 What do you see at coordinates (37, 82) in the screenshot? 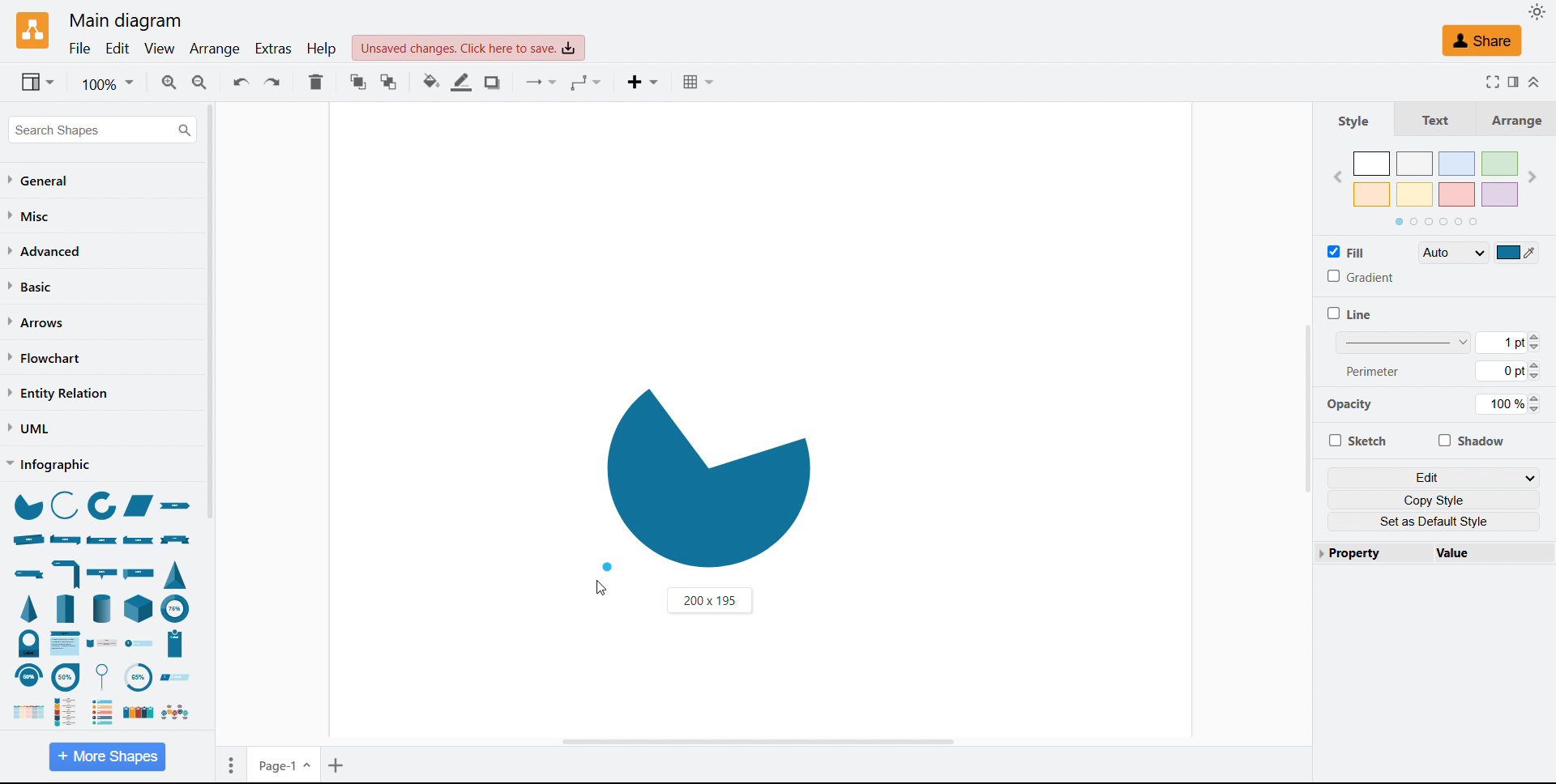
I see `Display options ` at bounding box center [37, 82].